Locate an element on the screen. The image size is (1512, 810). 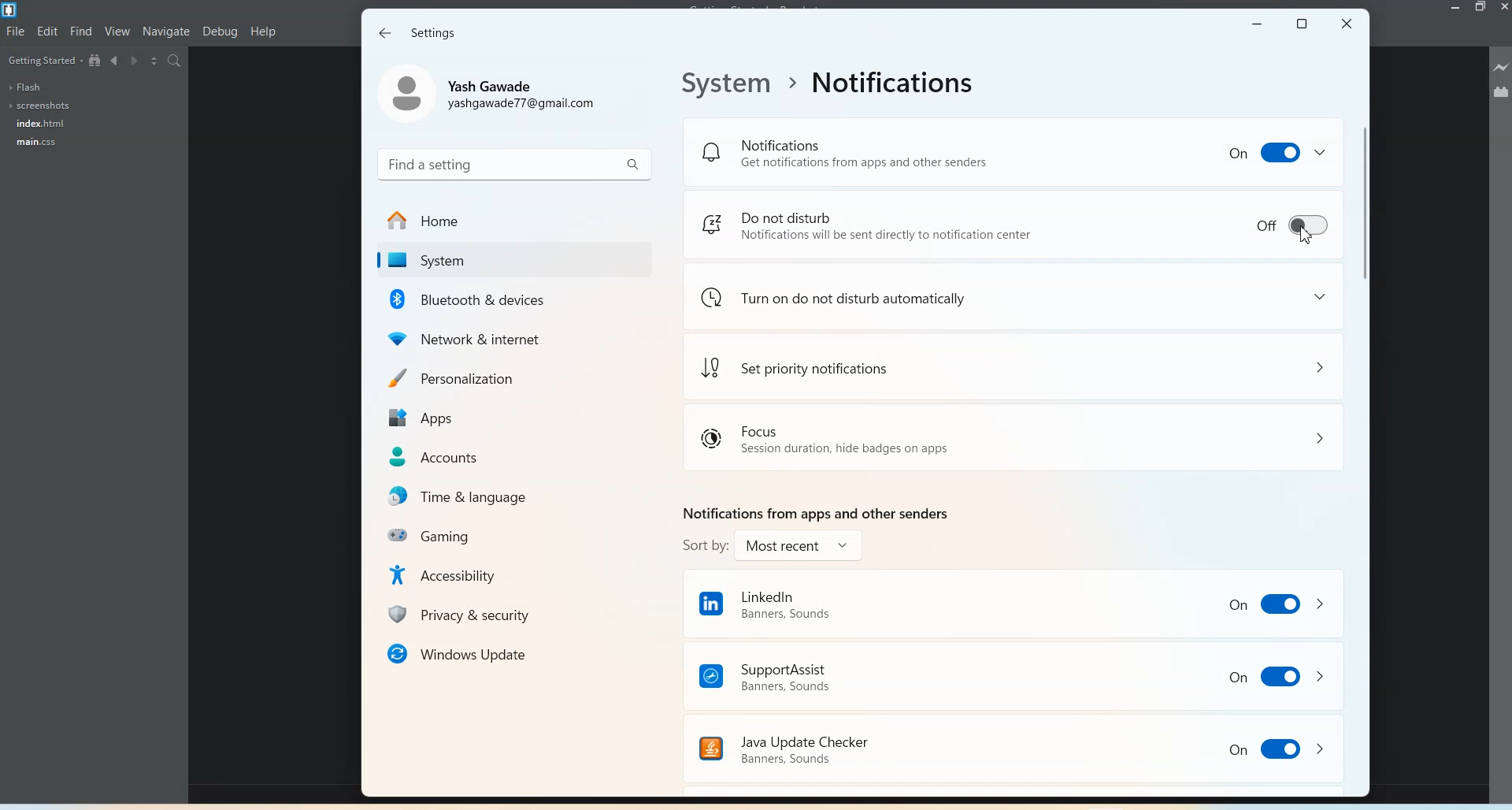
windows update is located at coordinates (508, 653).